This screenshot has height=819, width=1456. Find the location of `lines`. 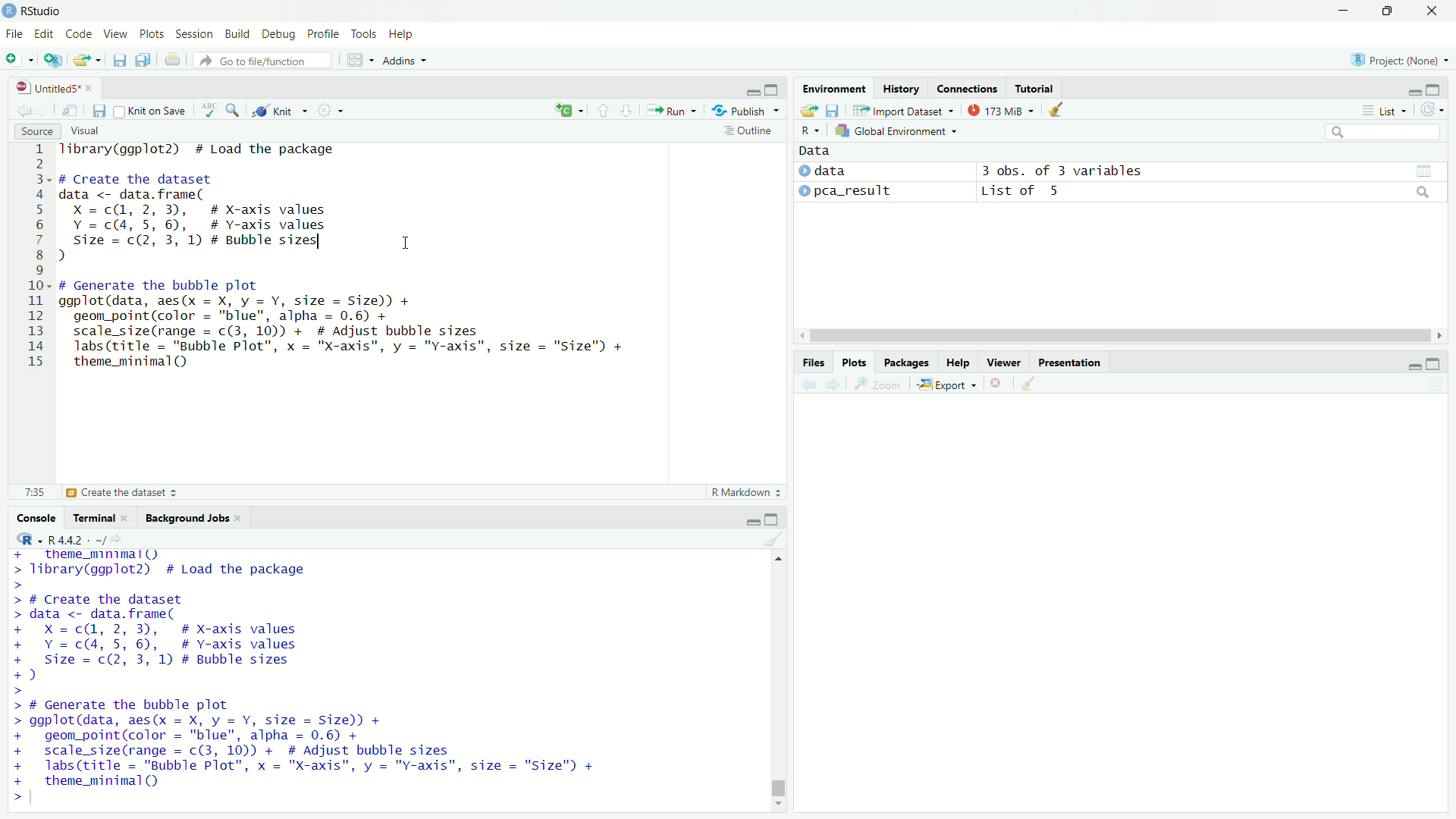

lines is located at coordinates (37, 260).